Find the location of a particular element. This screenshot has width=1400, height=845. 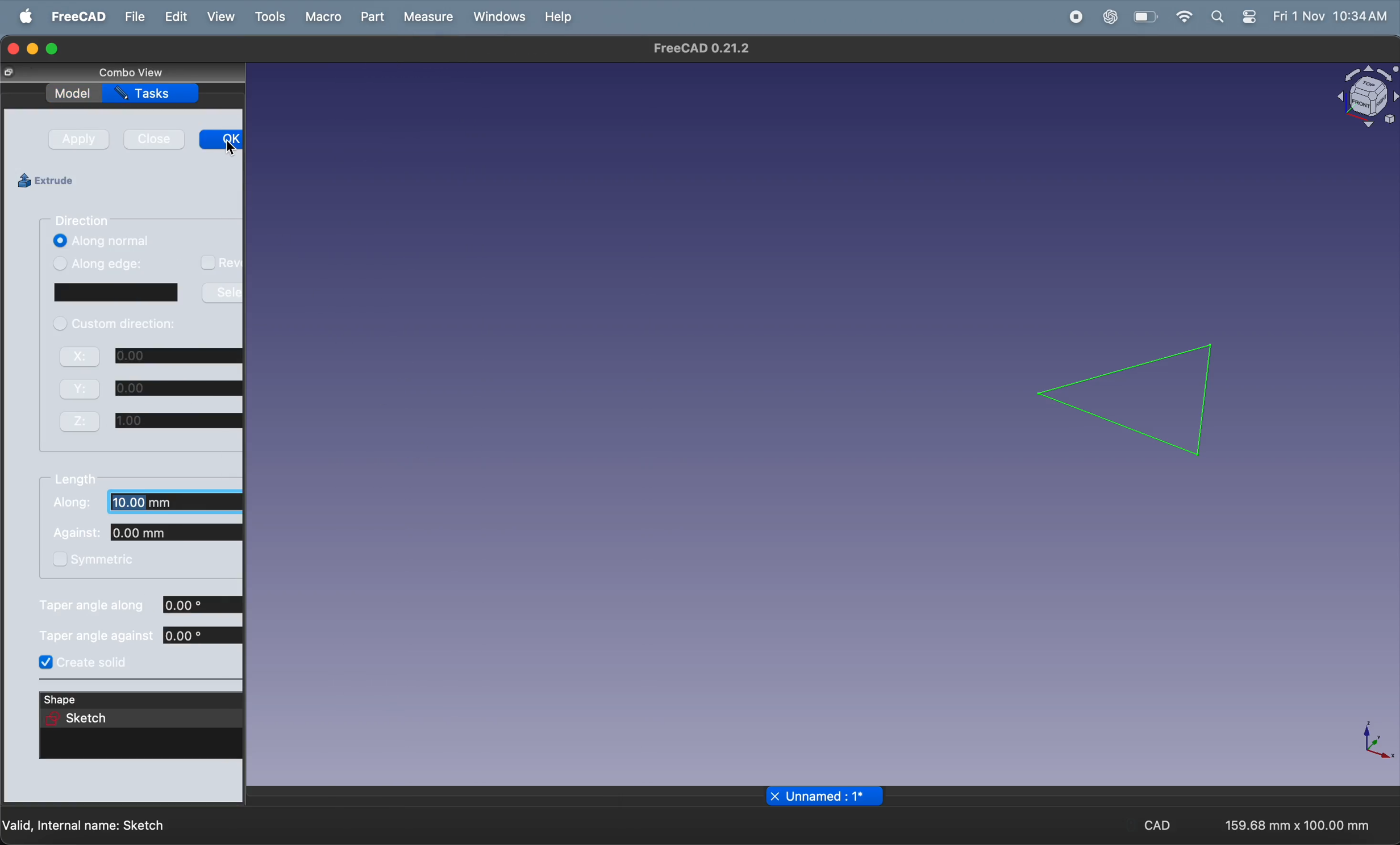

axis is located at coordinates (1380, 743).